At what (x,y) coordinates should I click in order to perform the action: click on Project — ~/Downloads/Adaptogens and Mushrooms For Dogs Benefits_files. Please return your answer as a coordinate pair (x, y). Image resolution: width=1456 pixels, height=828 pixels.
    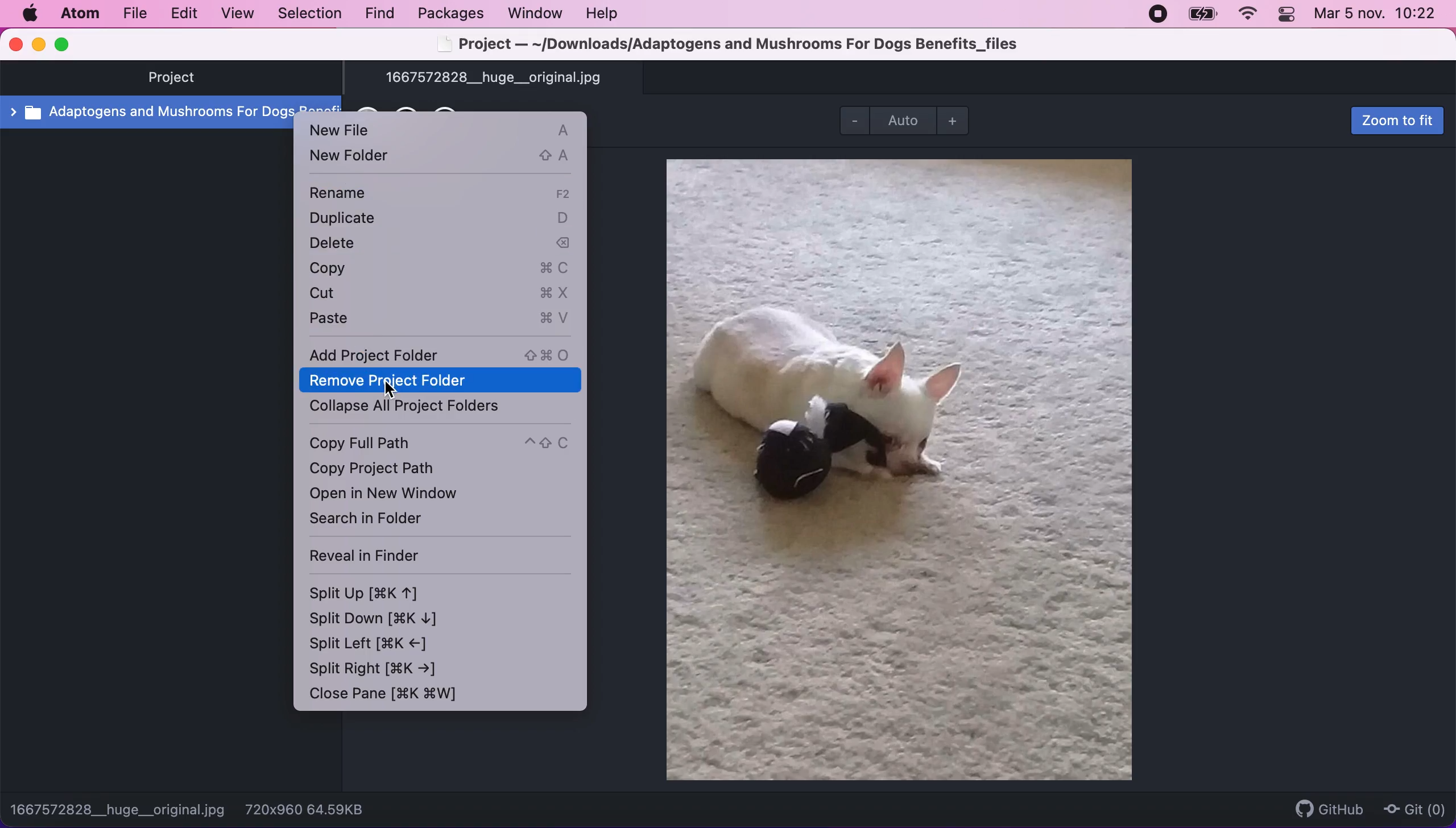
    Looking at the image, I should click on (721, 45).